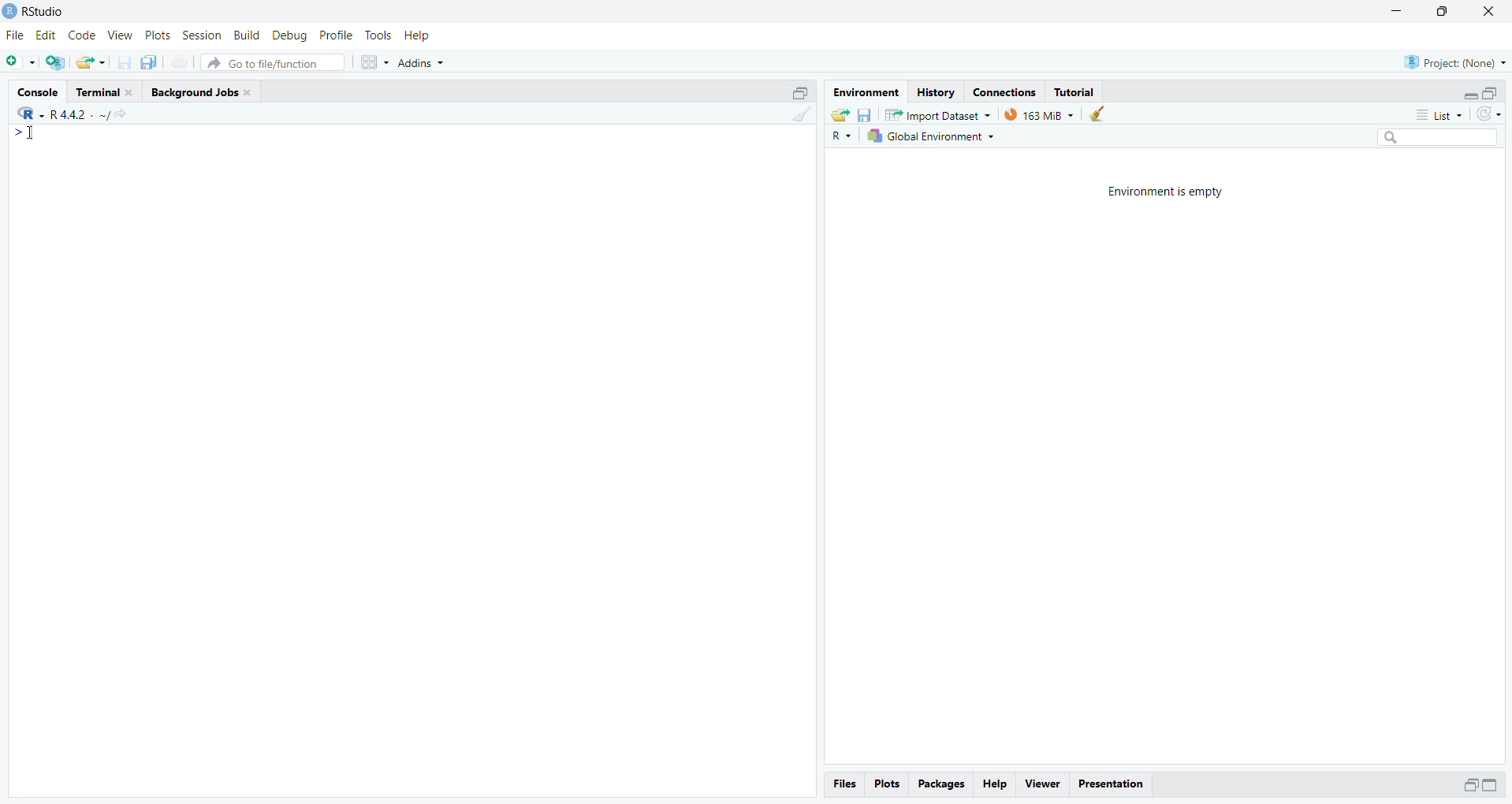 This screenshot has width=1512, height=804. What do you see at coordinates (289, 35) in the screenshot?
I see `debug` at bounding box center [289, 35].